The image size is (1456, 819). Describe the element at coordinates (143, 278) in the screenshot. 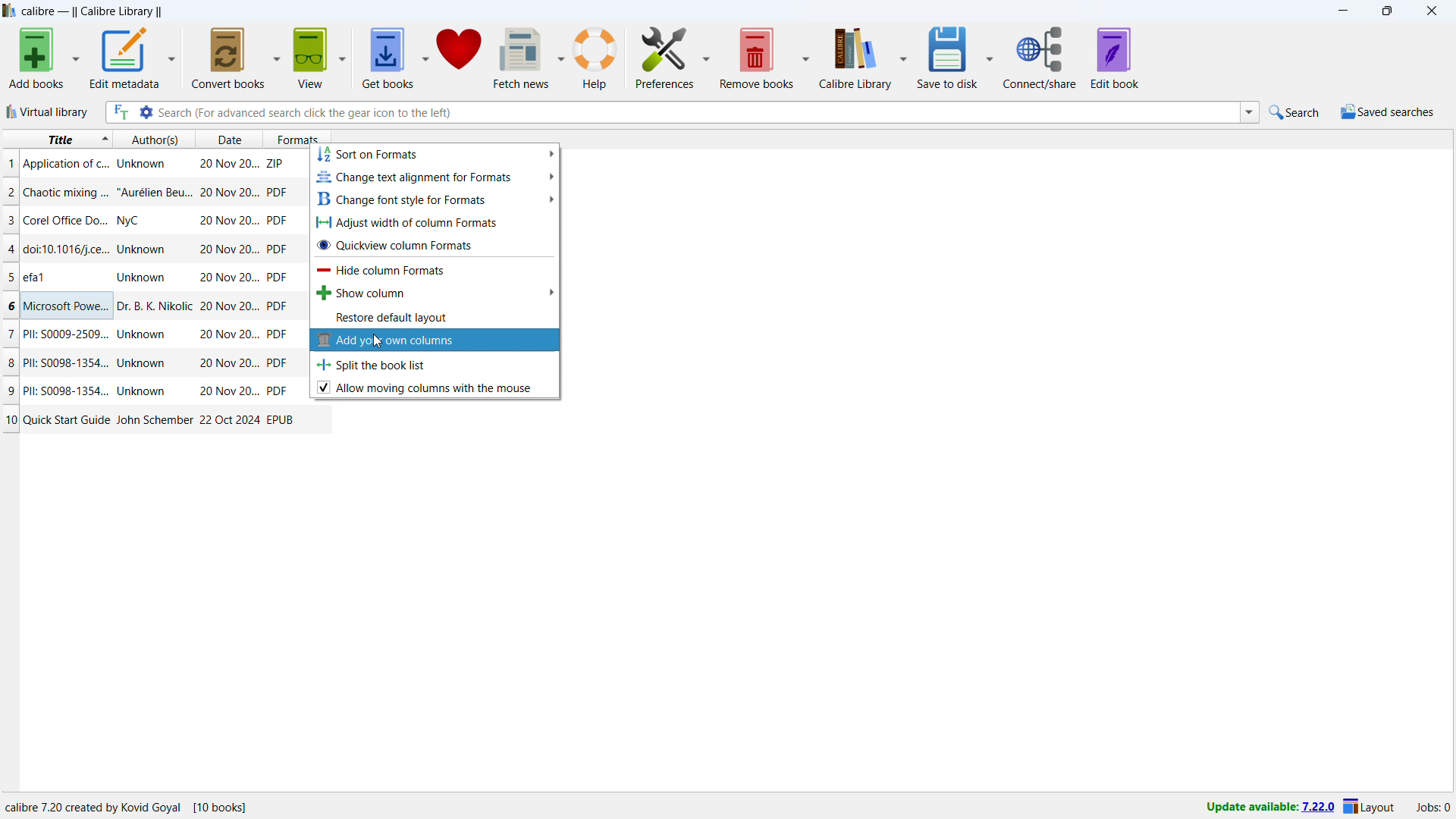

I see `author` at that location.